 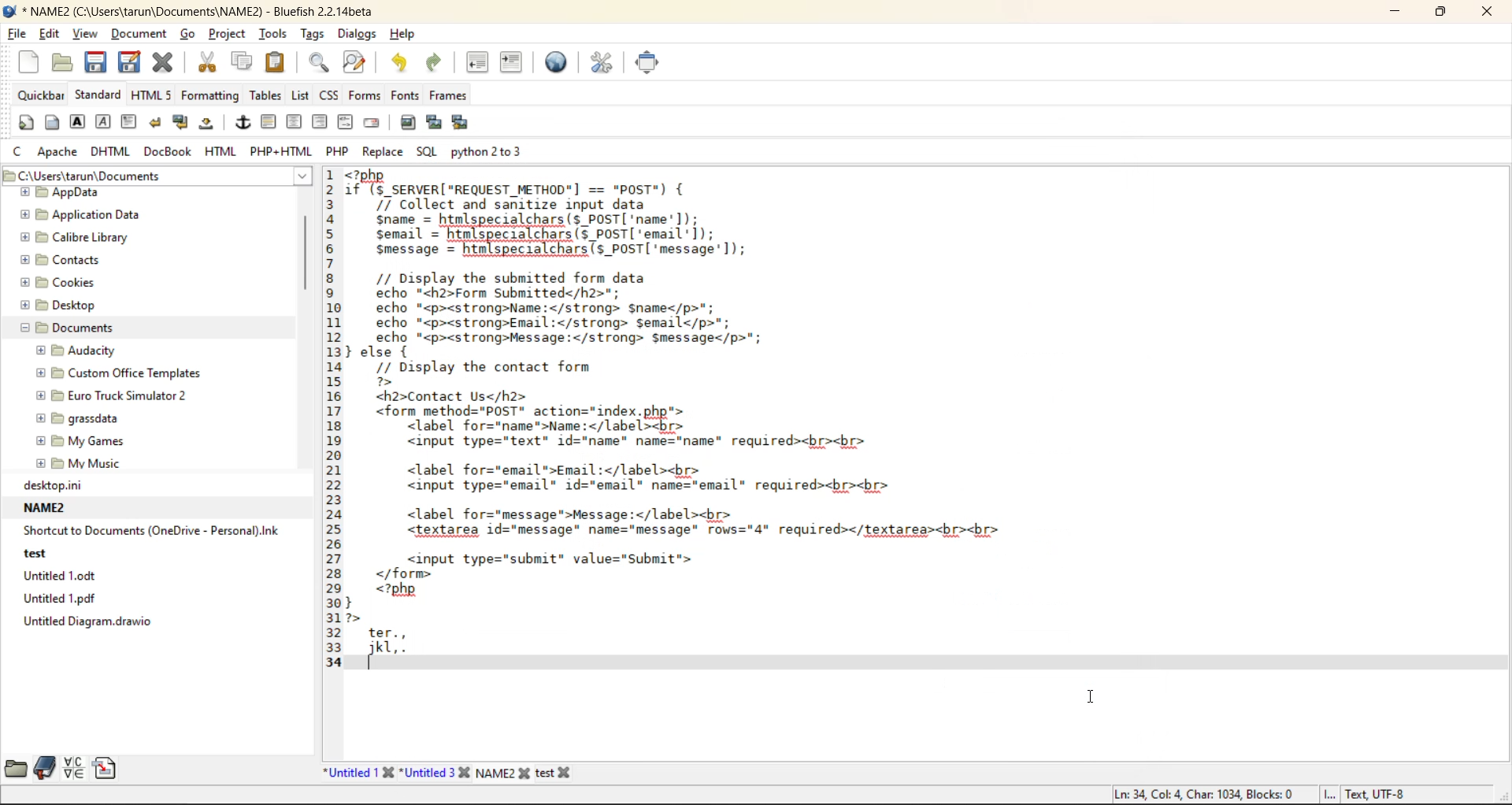 I want to click on dhtml, so click(x=111, y=152).